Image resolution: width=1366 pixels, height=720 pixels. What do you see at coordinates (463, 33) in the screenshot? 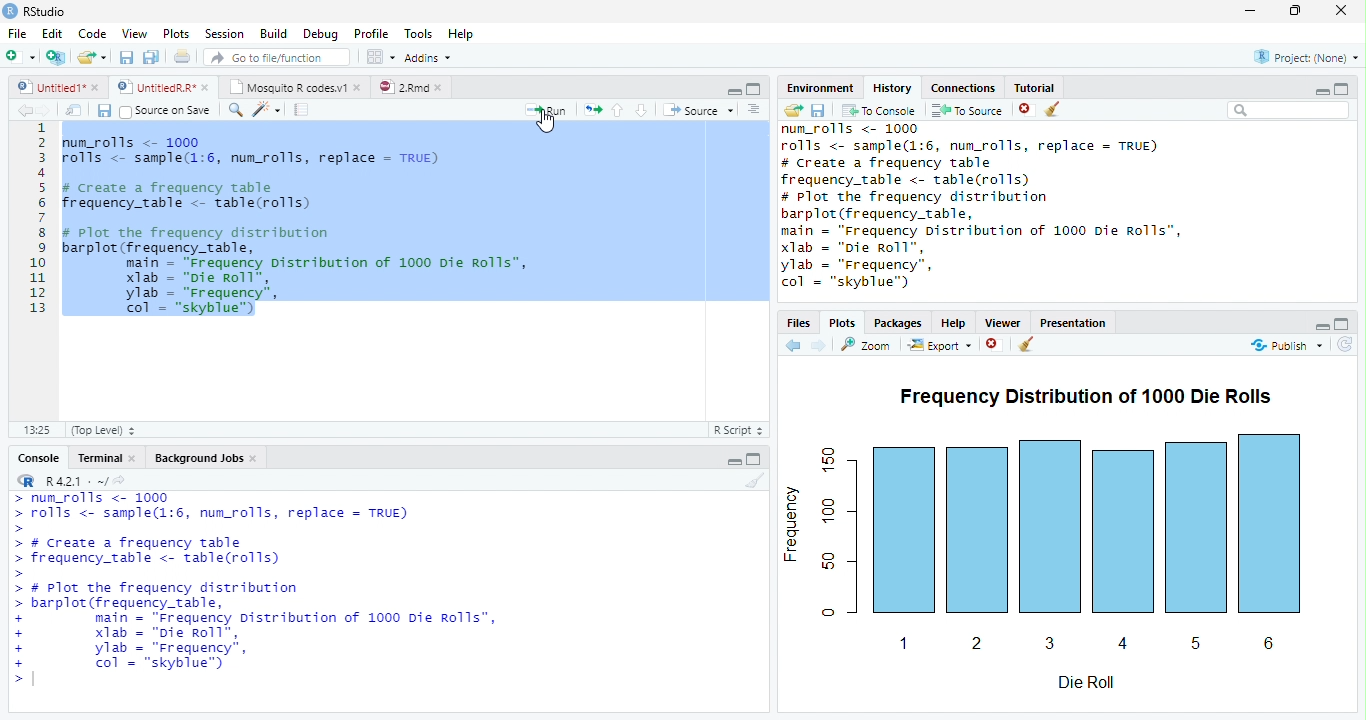
I see `Help` at bounding box center [463, 33].